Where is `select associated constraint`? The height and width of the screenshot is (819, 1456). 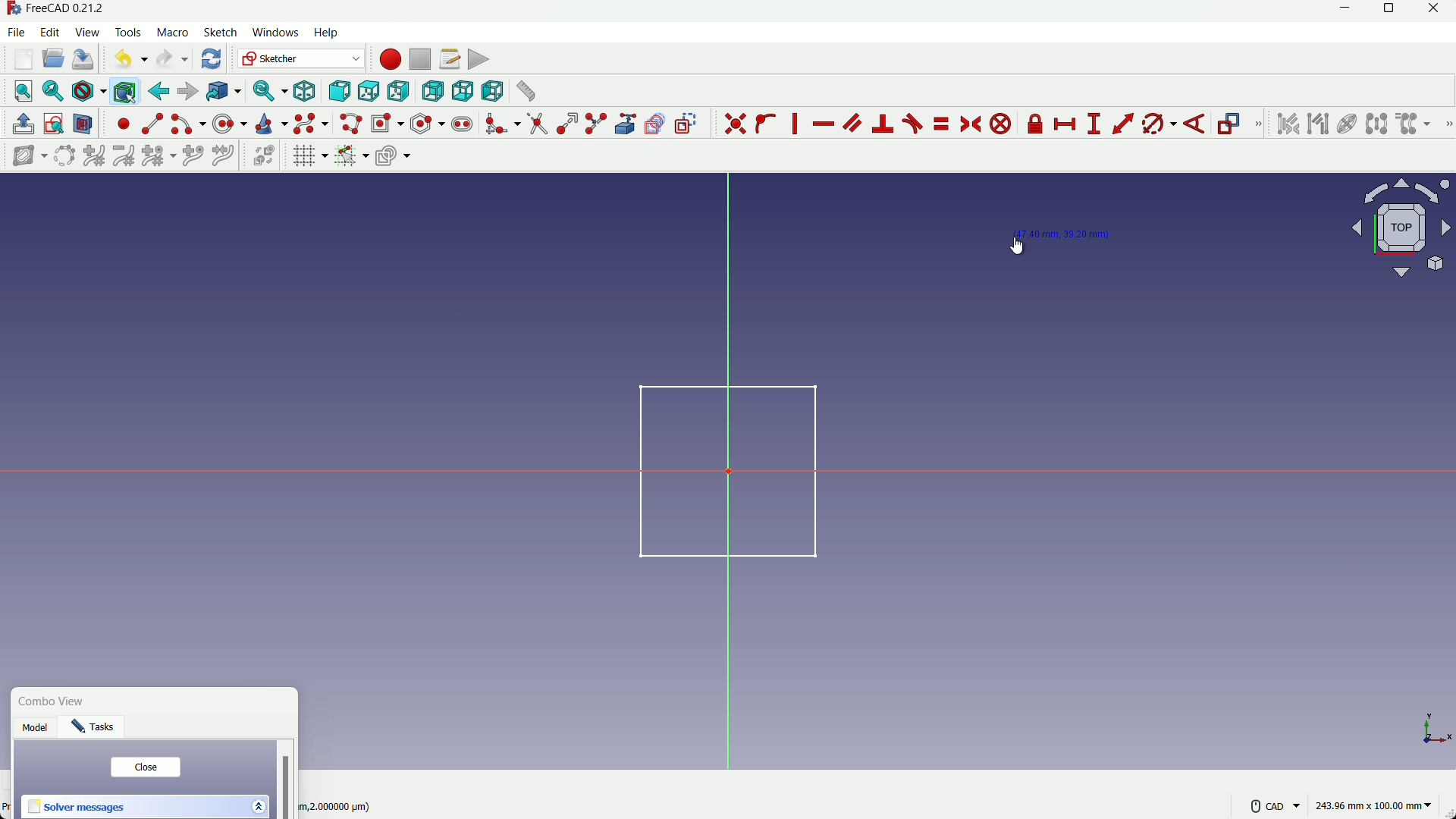
select associated constraint is located at coordinates (1287, 124).